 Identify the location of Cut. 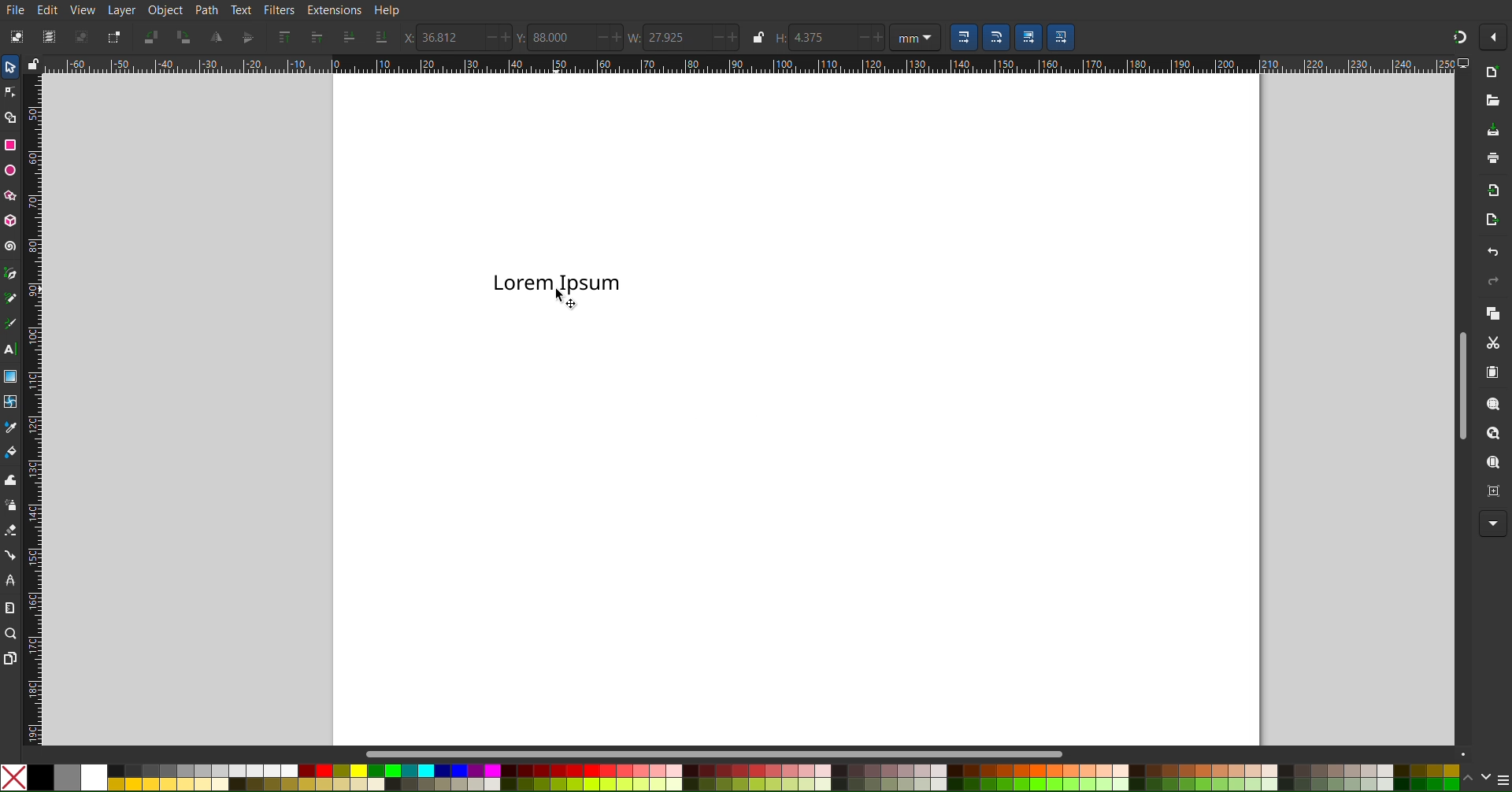
(1492, 342).